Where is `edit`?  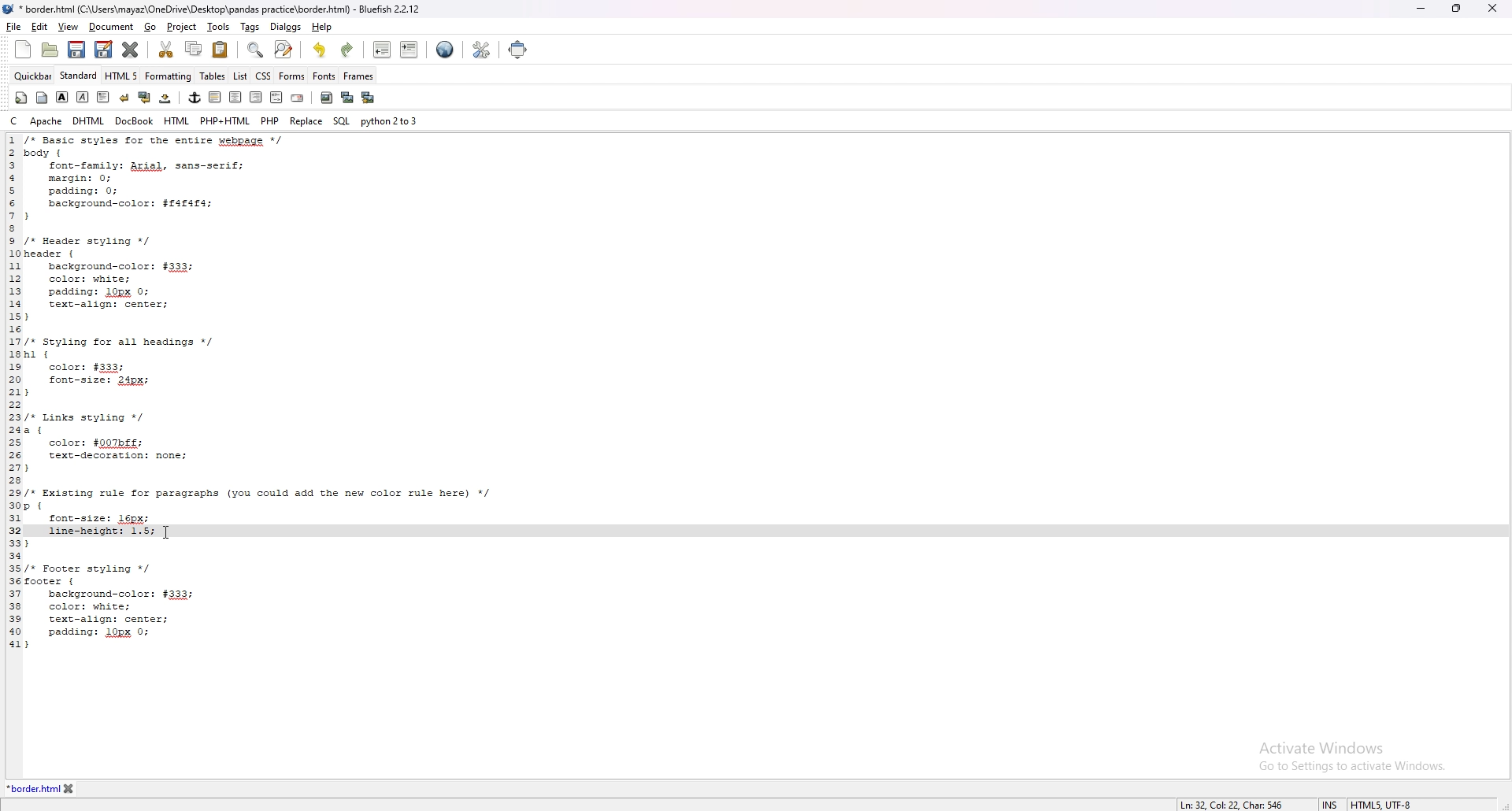 edit is located at coordinates (40, 26).